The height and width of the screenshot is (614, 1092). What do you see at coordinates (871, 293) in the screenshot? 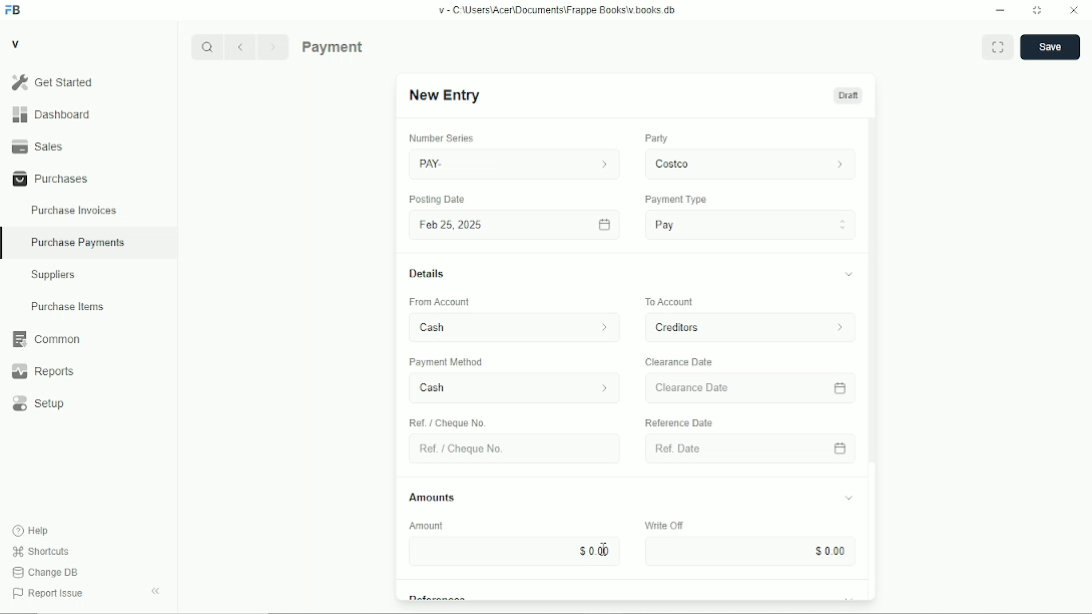
I see `vertical scrollbar` at bounding box center [871, 293].